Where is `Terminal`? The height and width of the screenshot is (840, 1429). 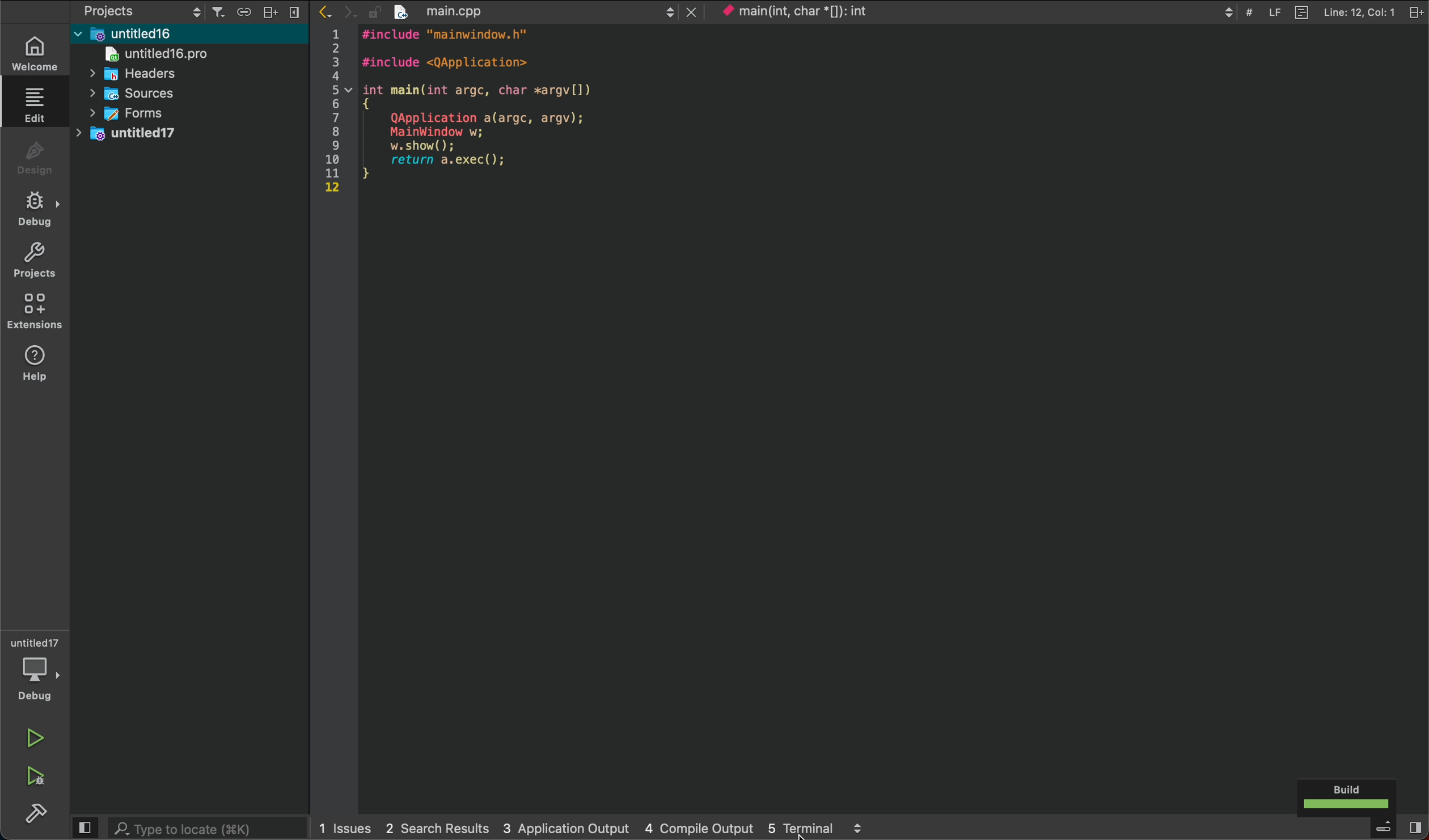
Terminal is located at coordinates (801, 828).